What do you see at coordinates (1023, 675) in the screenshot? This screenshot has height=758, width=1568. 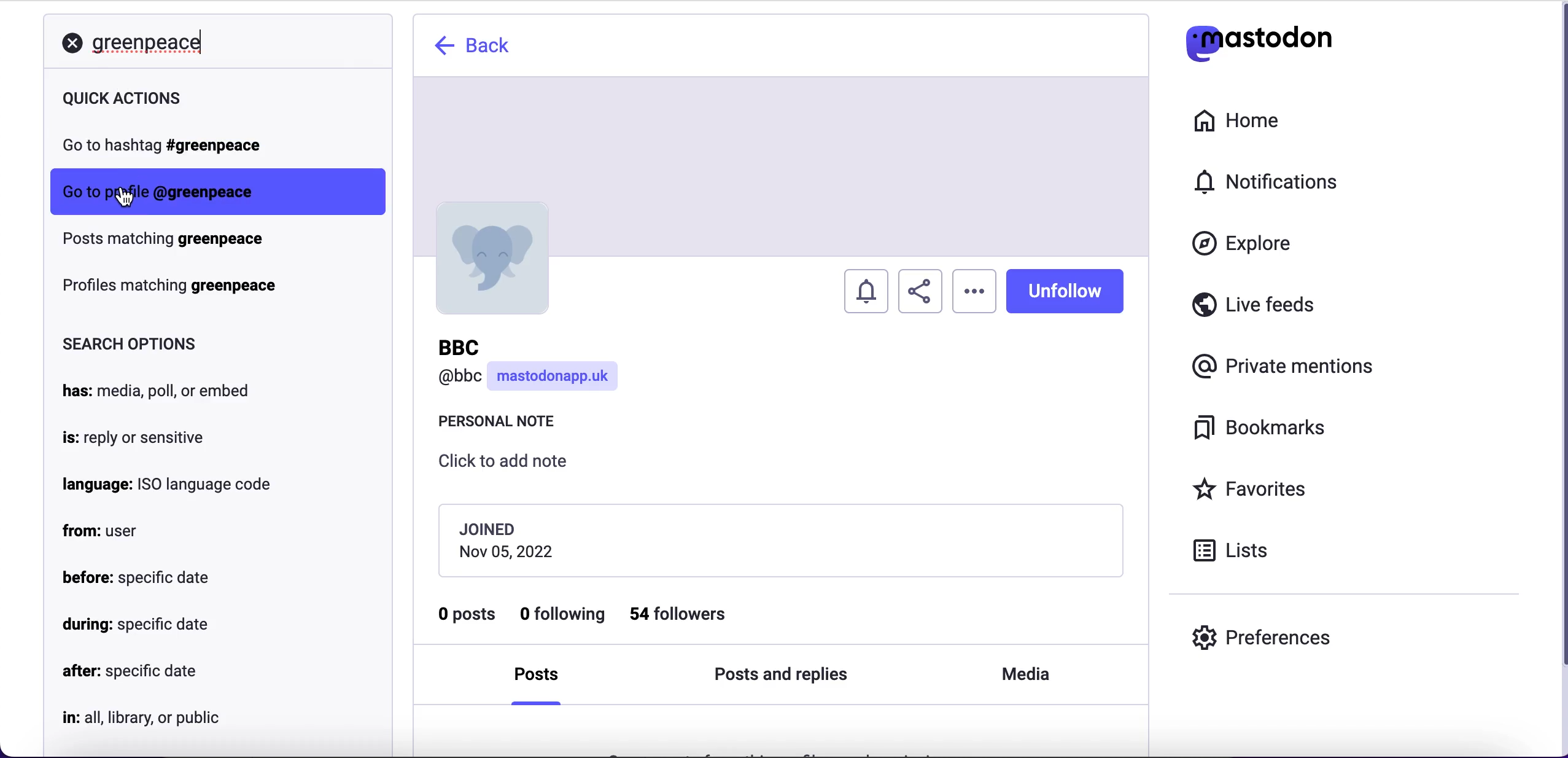 I see `media` at bounding box center [1023, 675].